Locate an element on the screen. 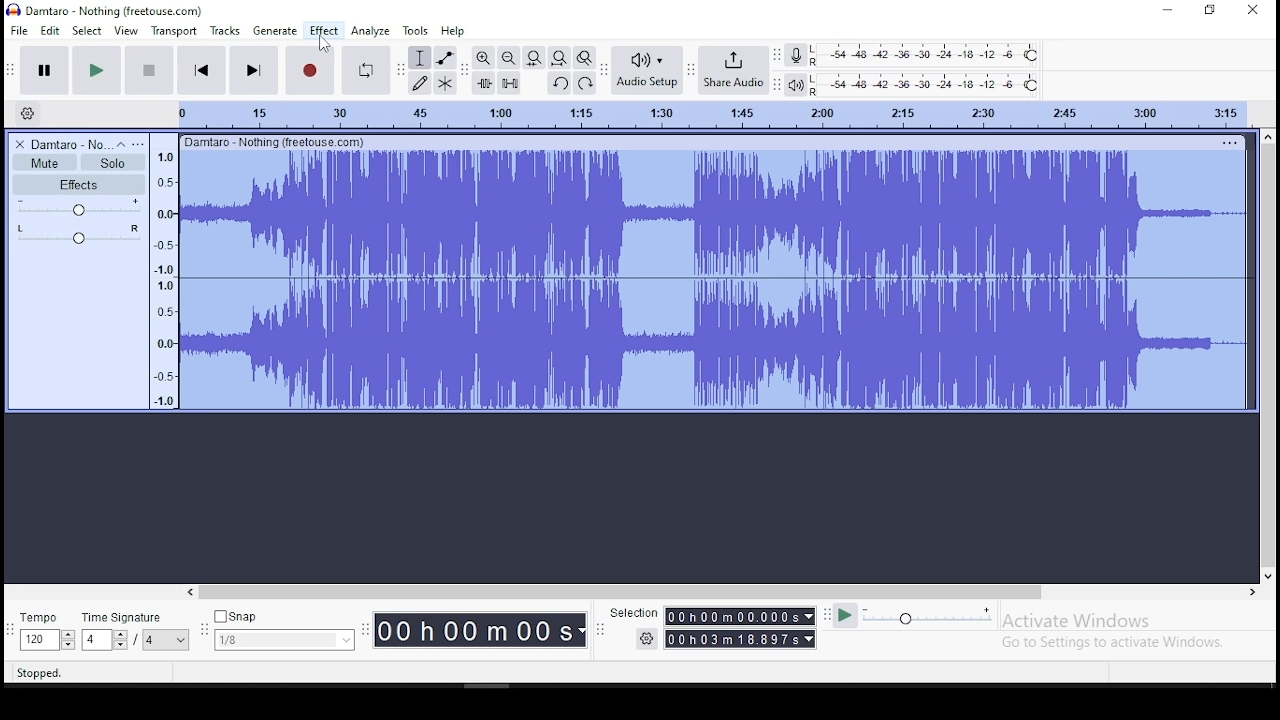 The image size is (1280, 720). help is located at coordinates (452, 30).